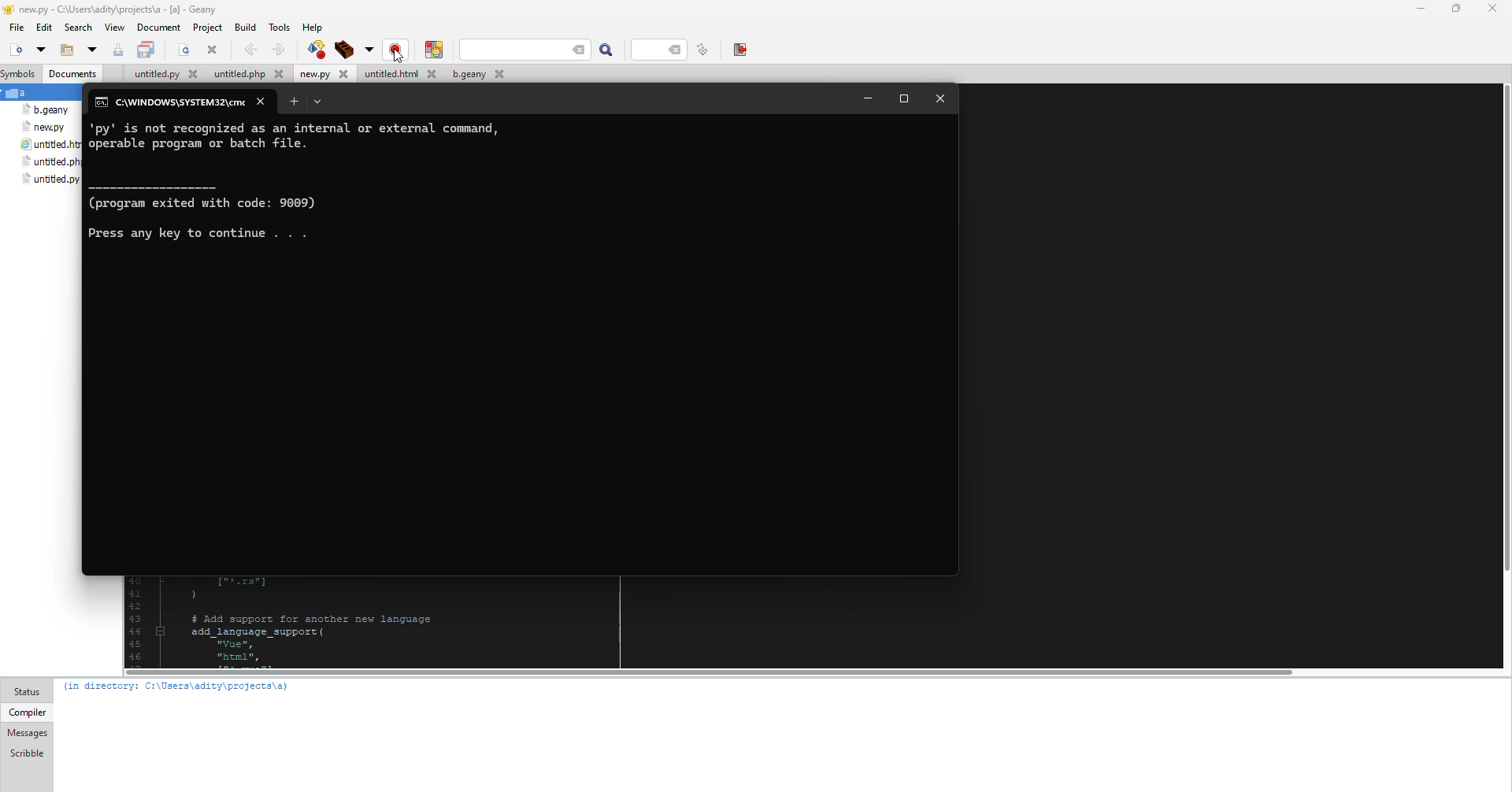 The width and height of the screenshot is (1512, 792). I want to click on file, so click(162, 74).